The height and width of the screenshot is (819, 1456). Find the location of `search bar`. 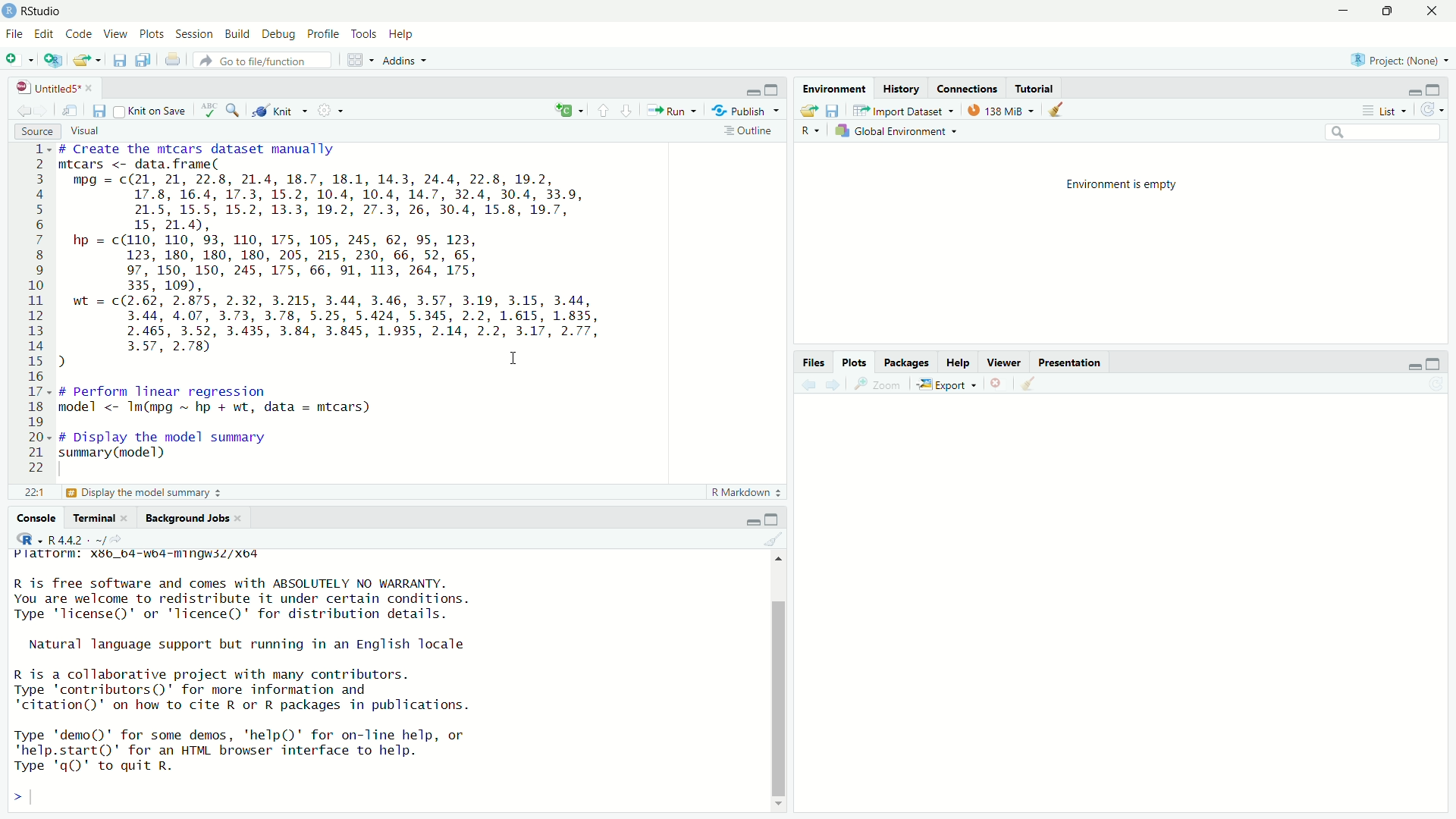

search bar is located at coordinates (1384, 132).